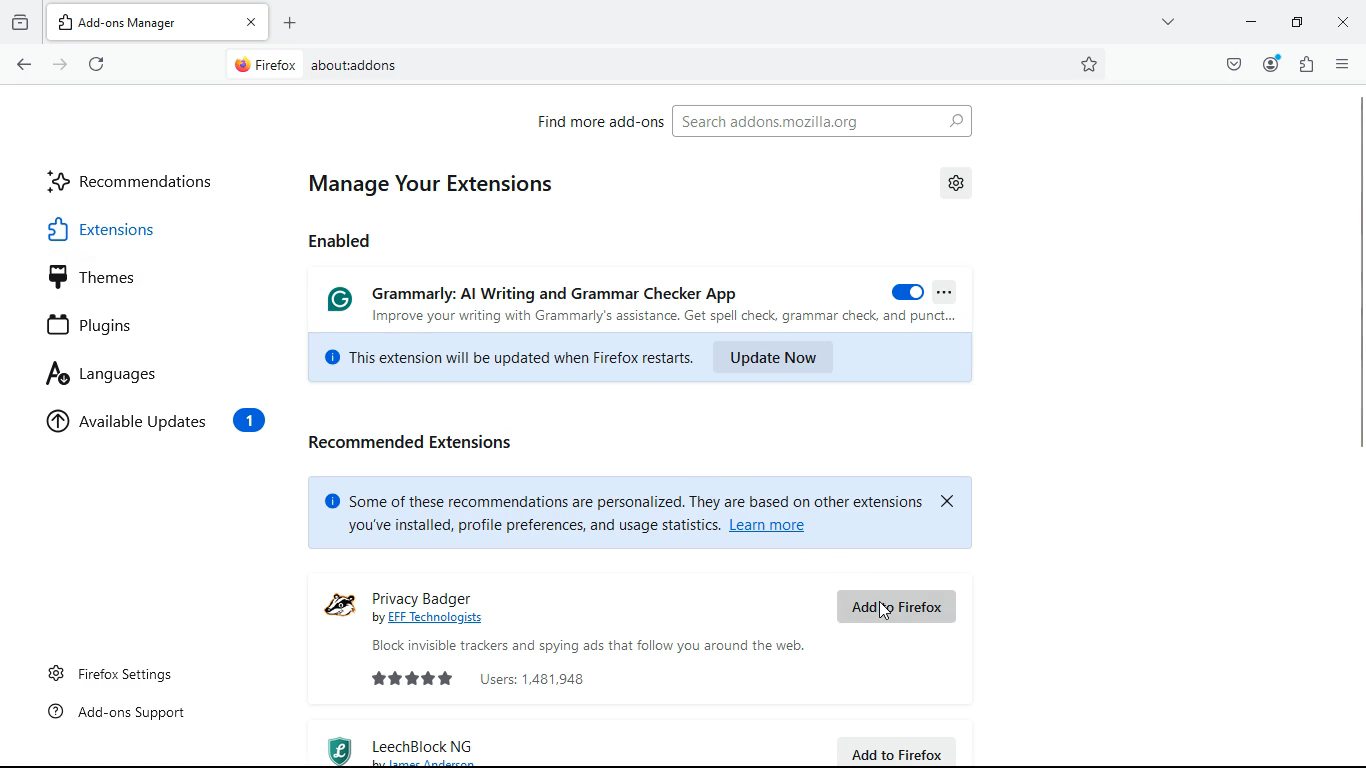 Image resolution: width=1366 pixels, height=768 pixels. Describe the element at coordinates (945, 292) in the screenshot. I see `more` at that location.